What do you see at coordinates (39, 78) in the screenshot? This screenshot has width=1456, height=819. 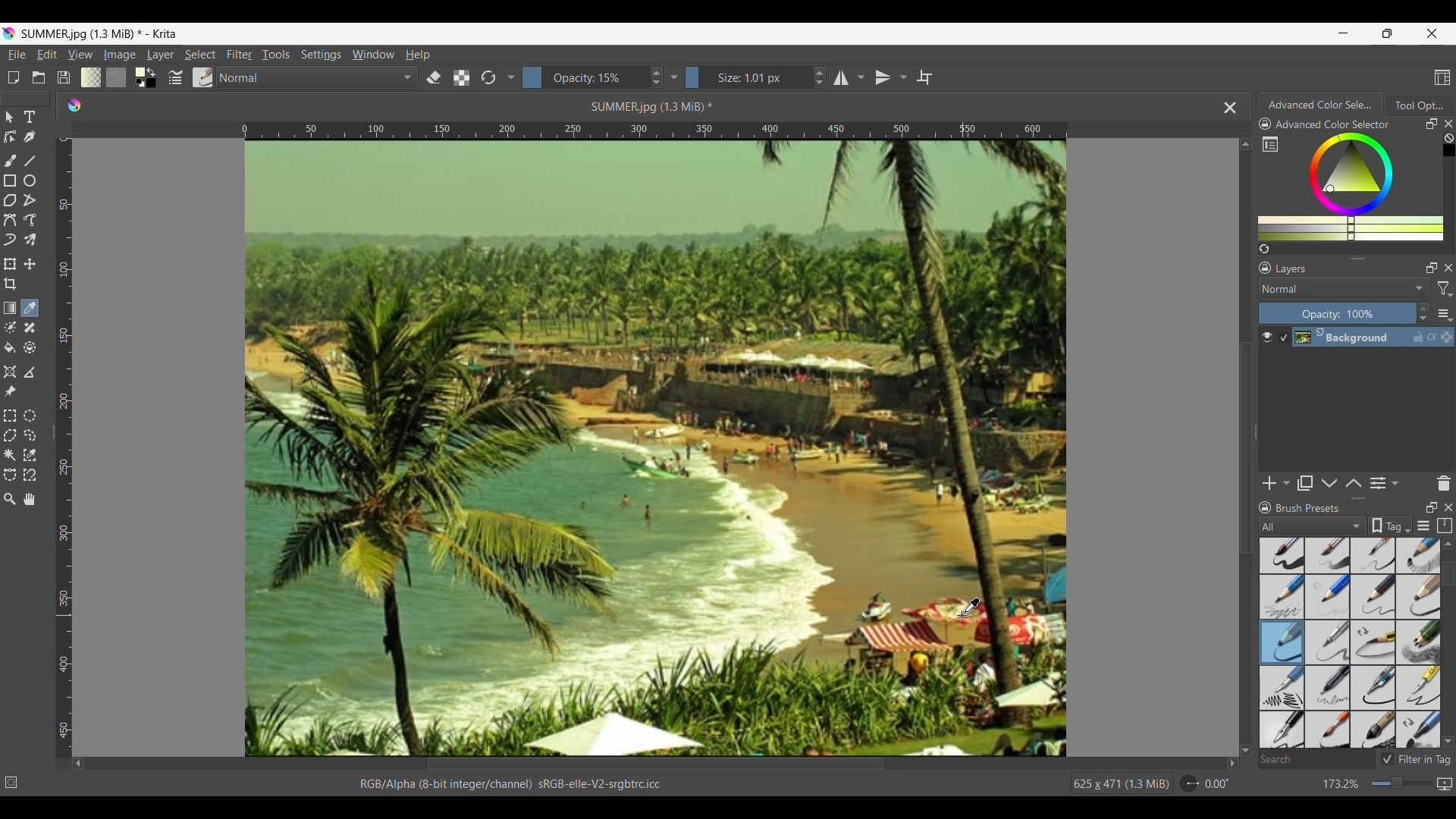 I see `Open an existing document` at bounding box center [39, 78].